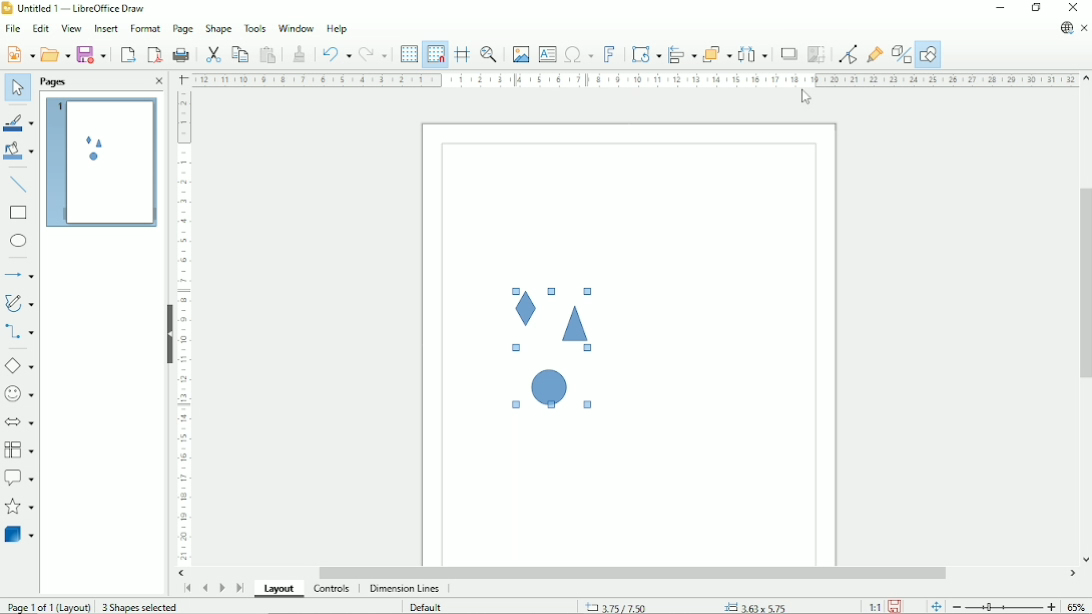  Describe the element at coordinates (19, 333) in the screenshot. I see `Connectors` at that location.